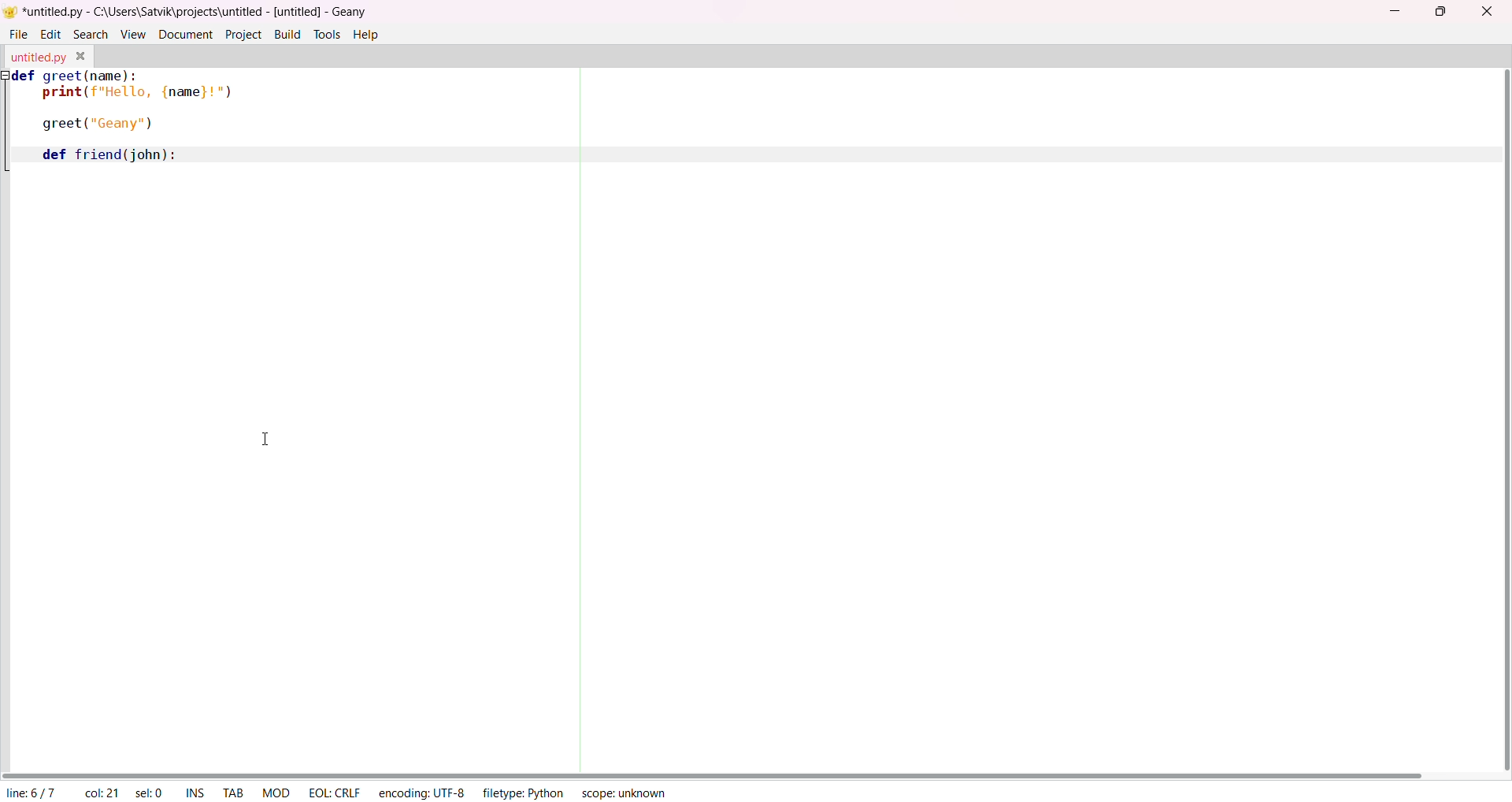 The image size is (1512, 802). I want to click on filetype: Python, so click(521, 792).